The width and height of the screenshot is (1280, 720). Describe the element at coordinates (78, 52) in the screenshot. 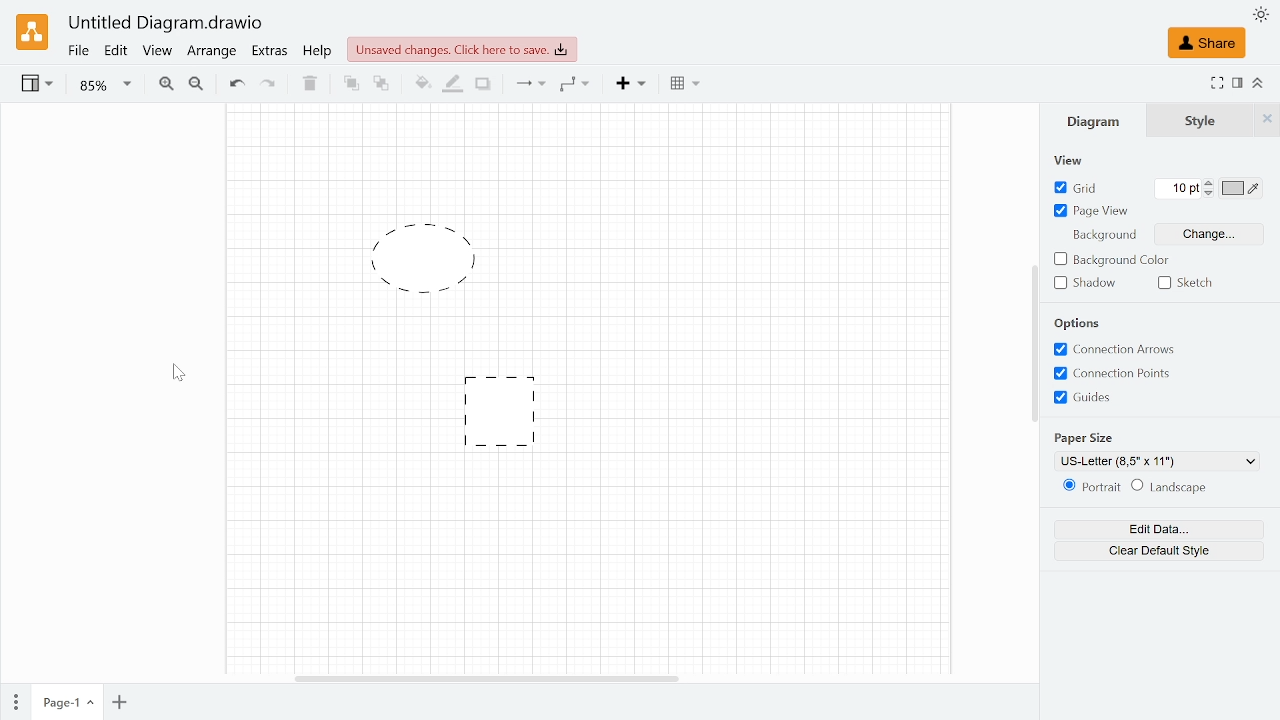

I see `Fie` at that location.